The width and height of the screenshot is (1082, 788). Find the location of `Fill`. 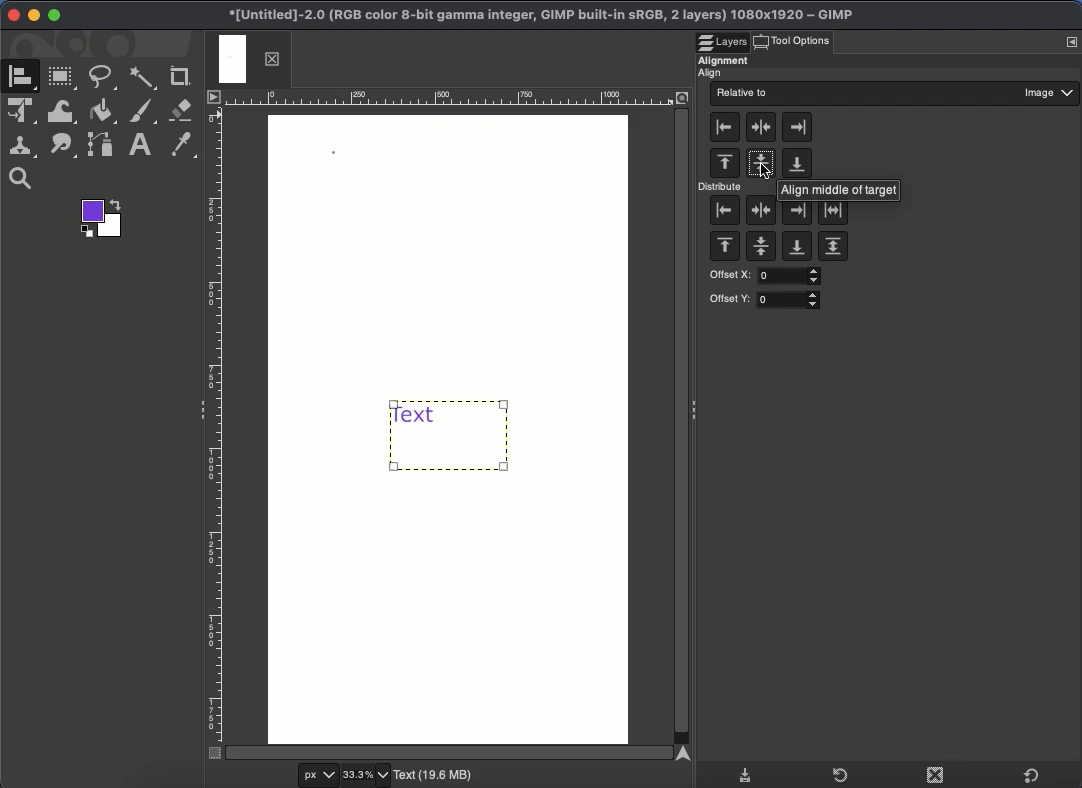

Fill is located at coordinates (101, 112).